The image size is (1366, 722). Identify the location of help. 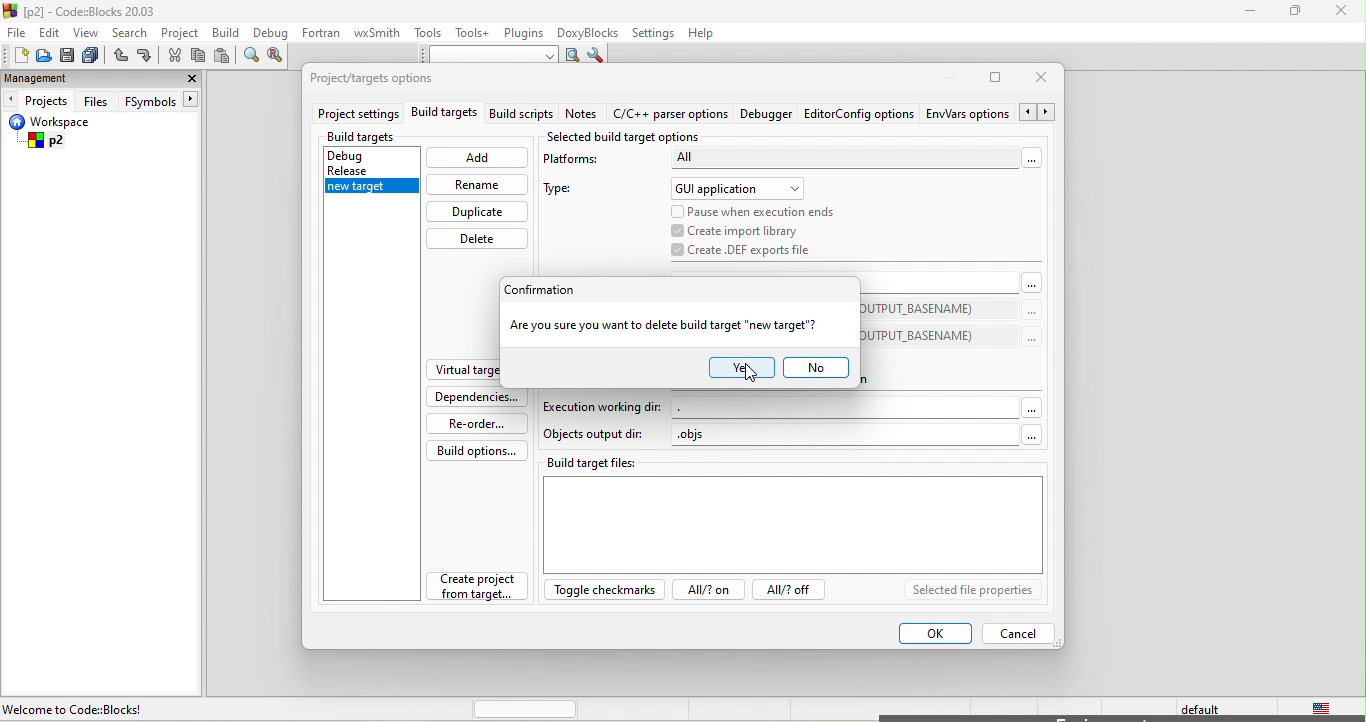
(710, 34).